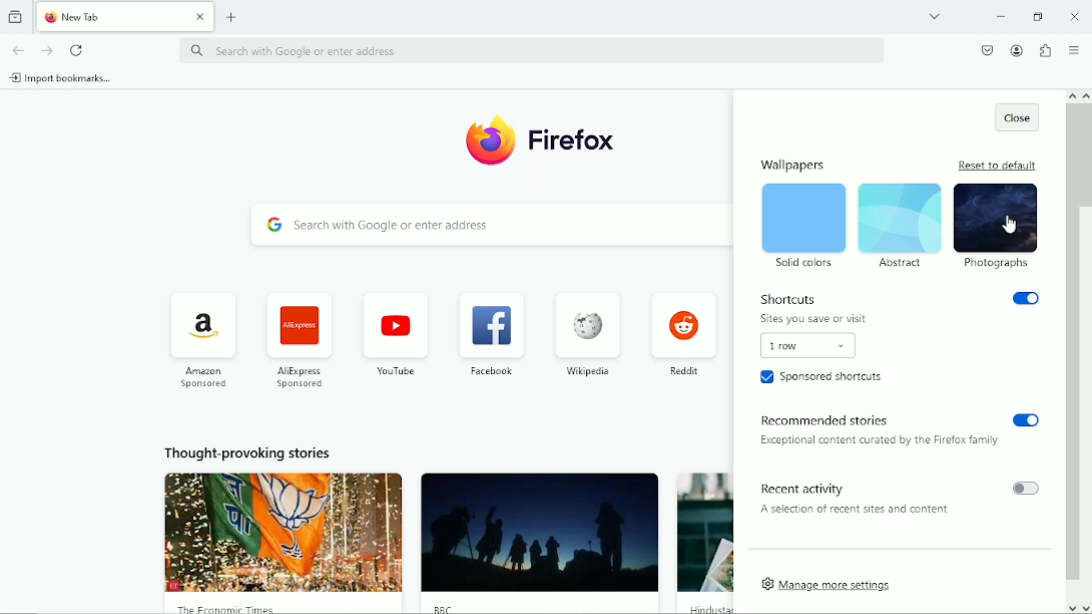  What do you see at coordinates (532, 52) in the screenshot?
I see `‘Search with Google or enter address` at bounding box center [532, 52].